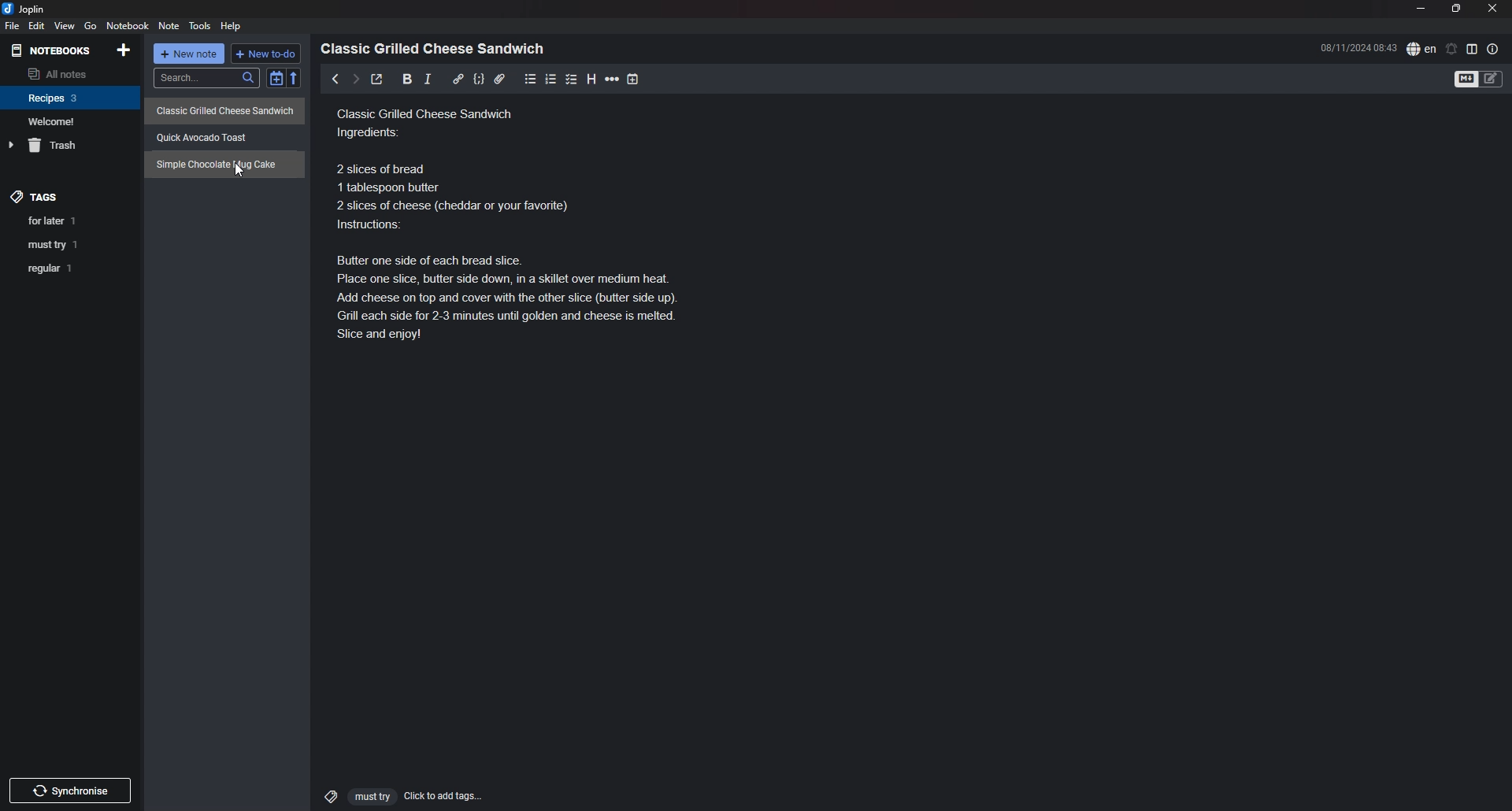 The image size is (1512, 811). I want to click on tools, so click(202, 26).